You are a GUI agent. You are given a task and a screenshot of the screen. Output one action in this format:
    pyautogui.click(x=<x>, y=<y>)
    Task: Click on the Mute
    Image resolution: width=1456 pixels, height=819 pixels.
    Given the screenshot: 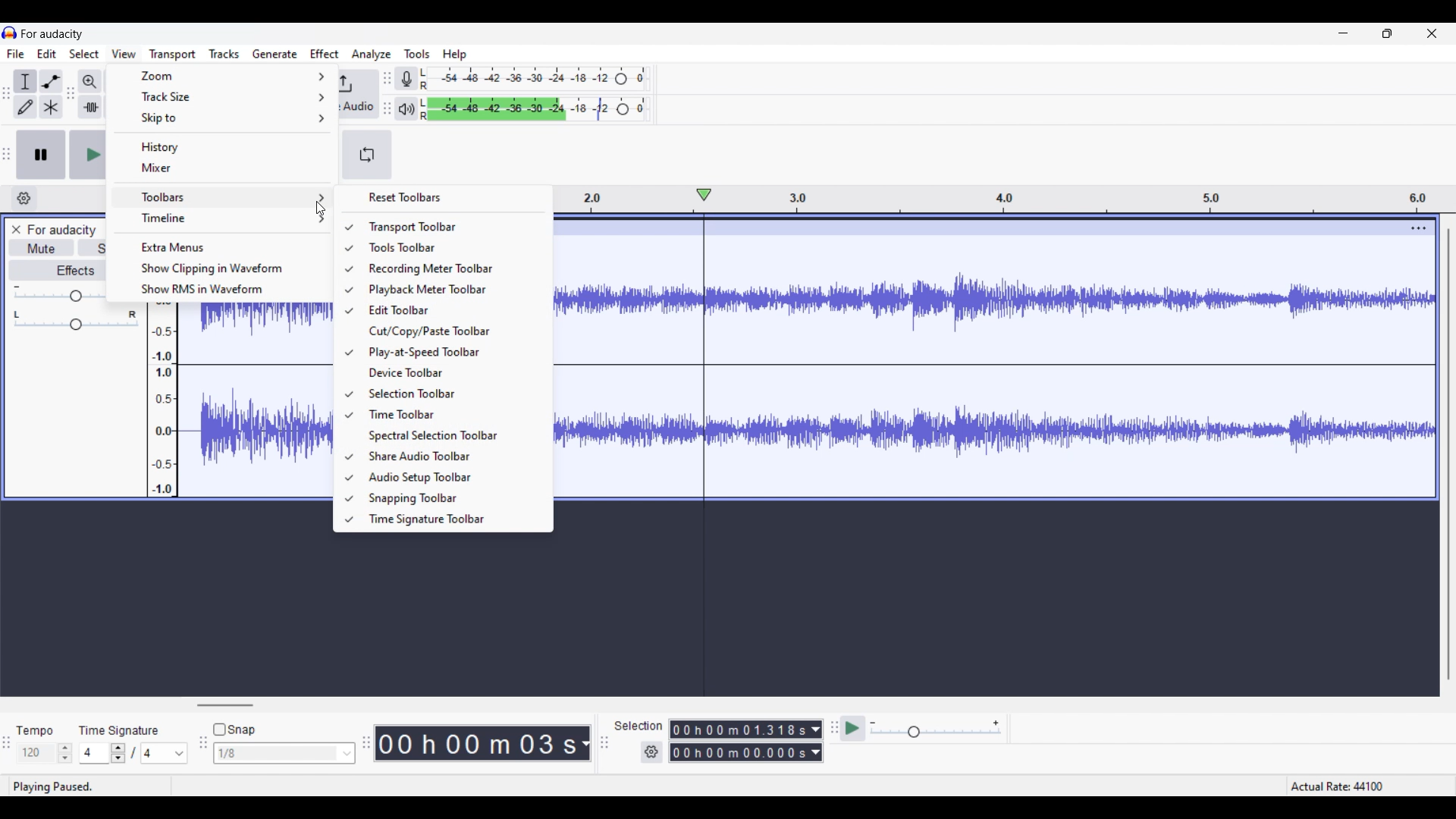 What is the action you would take?
    pyautogui.click(x=42, y=248)
    